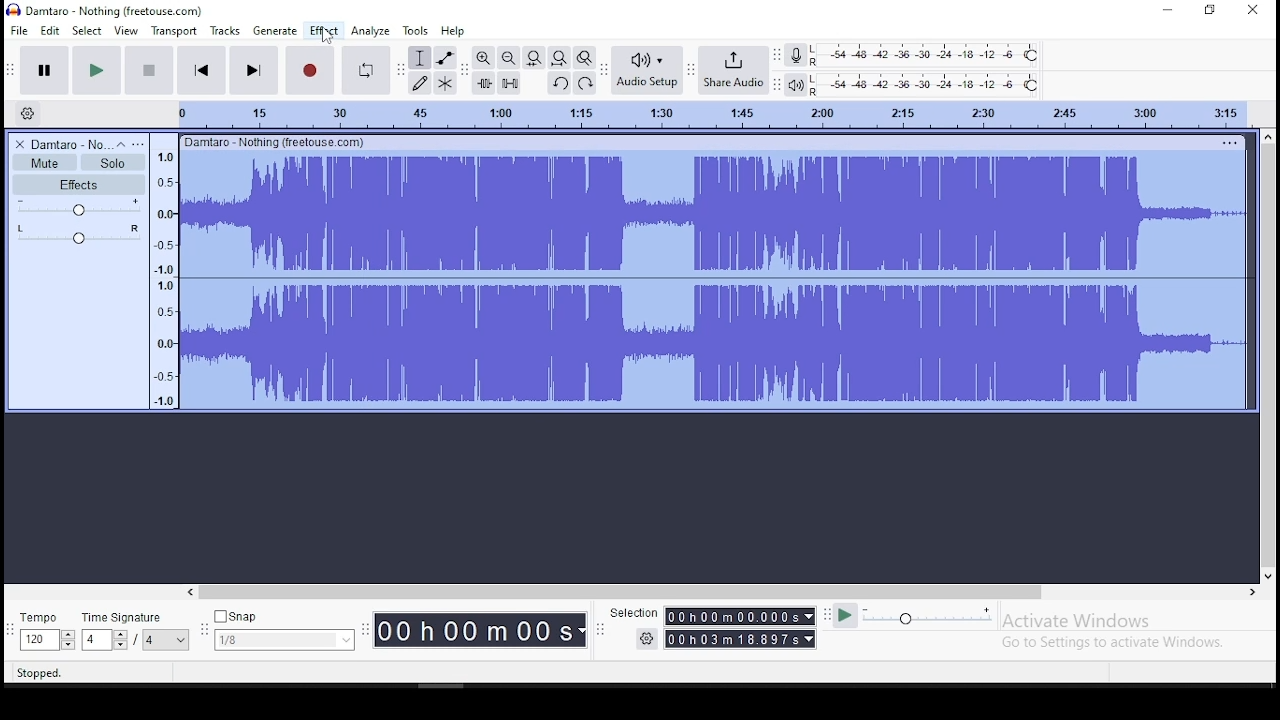  What do you see at coordinates (270, 640) in the screenshot?
I see `1/8` at bounding box center [270, 640].